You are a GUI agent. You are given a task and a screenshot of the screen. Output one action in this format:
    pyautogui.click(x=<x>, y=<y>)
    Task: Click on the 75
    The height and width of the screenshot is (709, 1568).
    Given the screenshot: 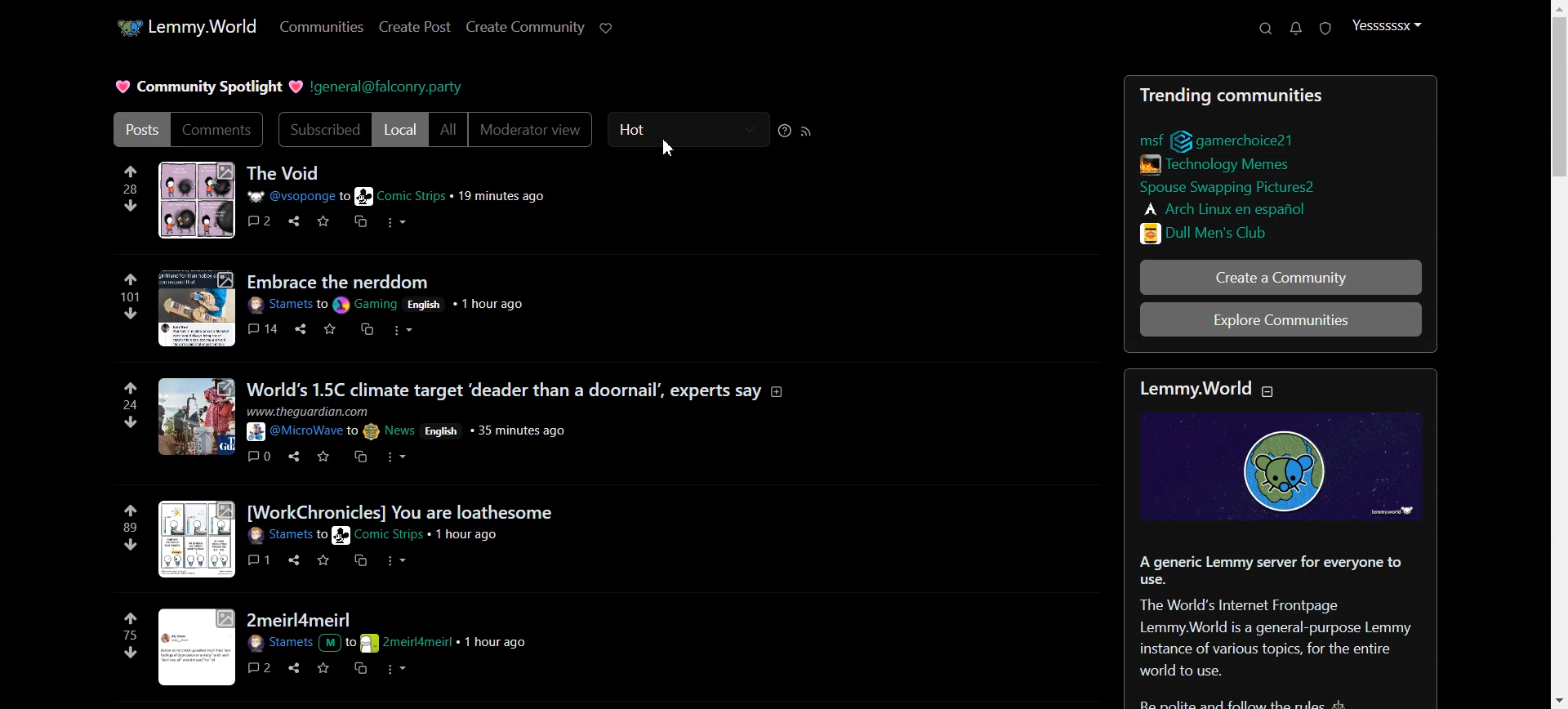 What is the action you would take?
    pyautogui.click(x=132, y=635)
    